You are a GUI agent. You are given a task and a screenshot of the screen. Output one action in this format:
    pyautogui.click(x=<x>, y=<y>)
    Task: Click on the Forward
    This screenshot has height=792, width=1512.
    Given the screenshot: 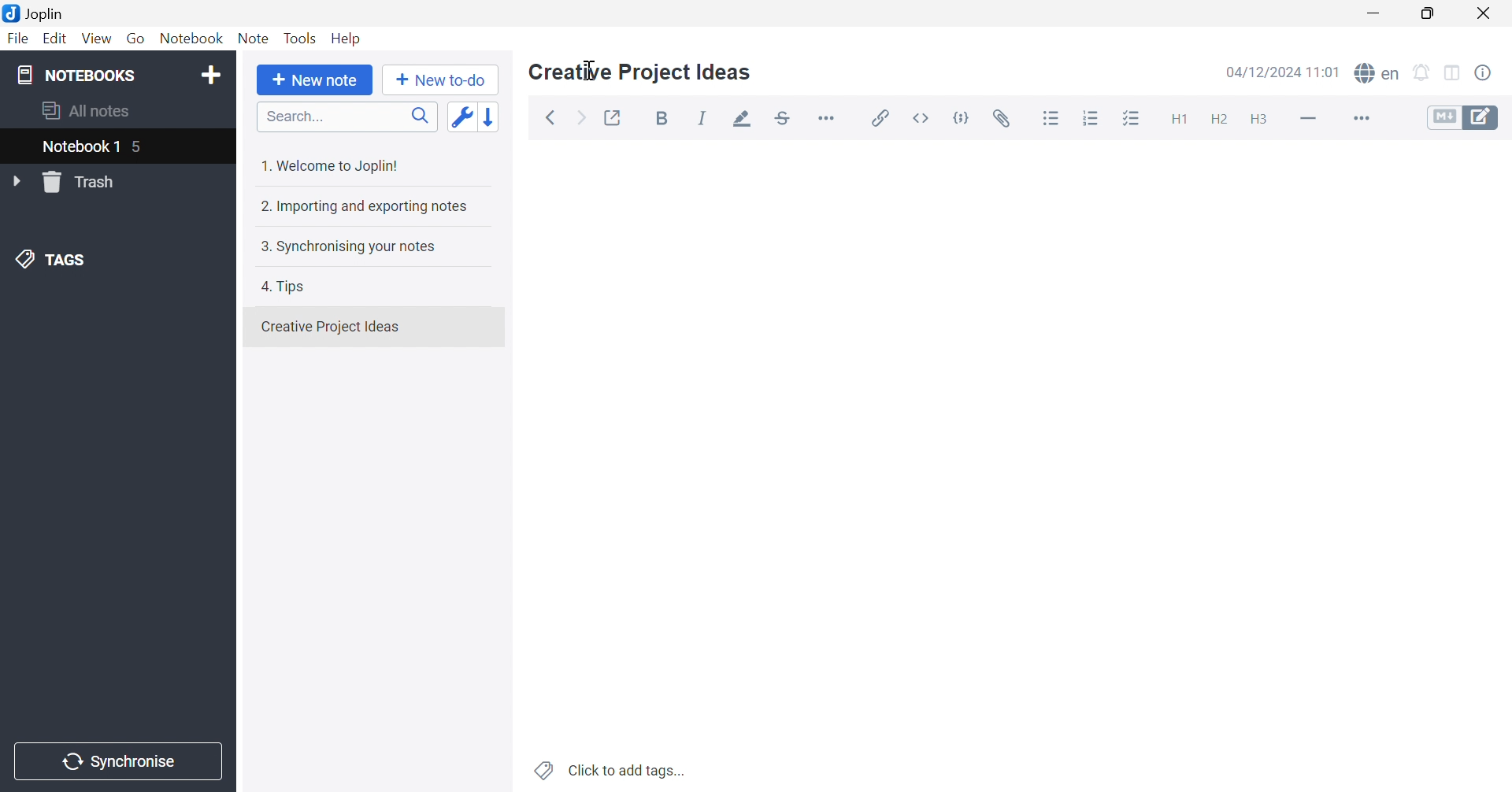 What is the action you would take?
    pyautogui.click(x=580, y=120)
    